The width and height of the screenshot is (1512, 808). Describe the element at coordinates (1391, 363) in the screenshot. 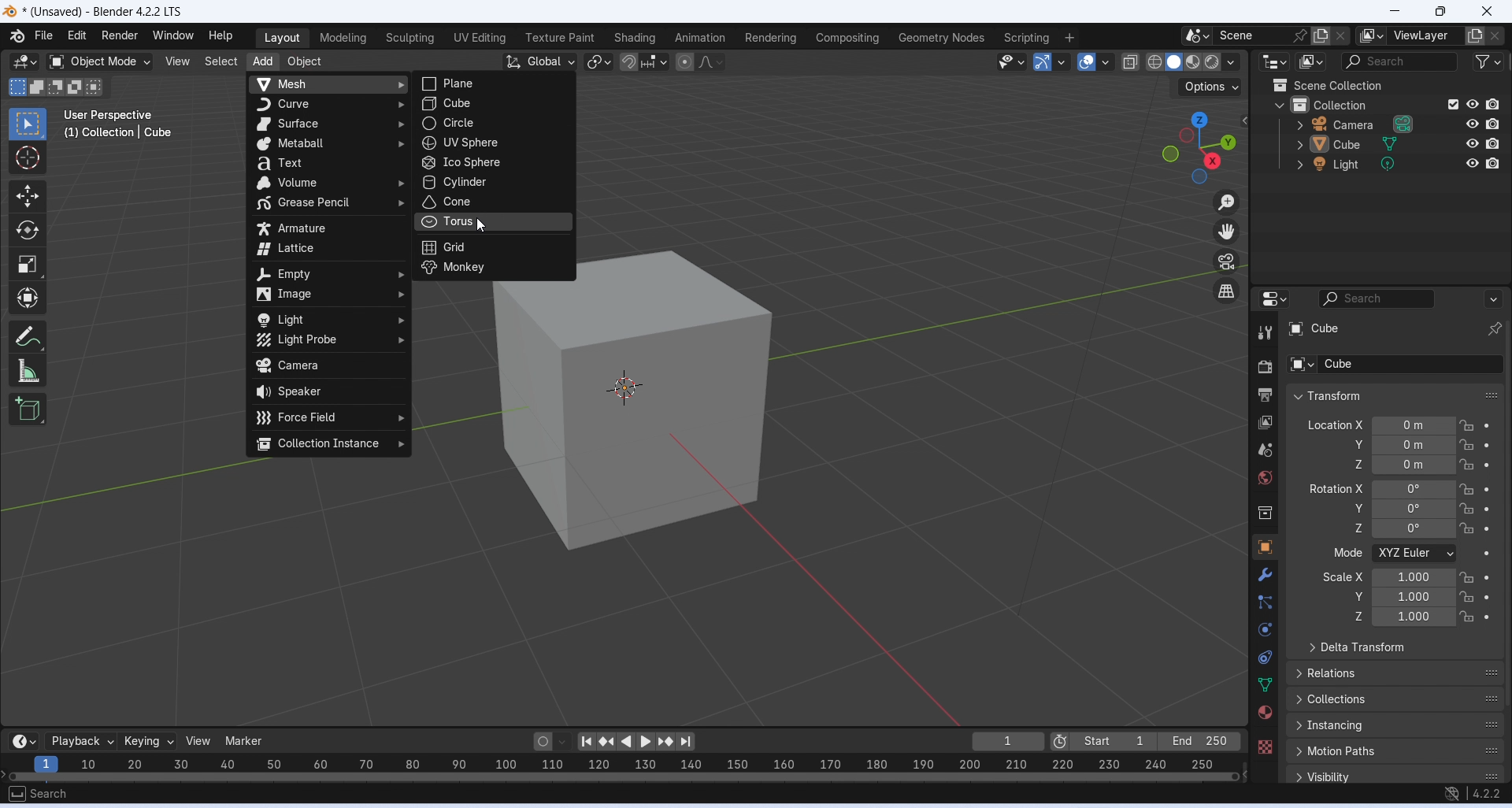

I see `Cube sub layer` at that location.